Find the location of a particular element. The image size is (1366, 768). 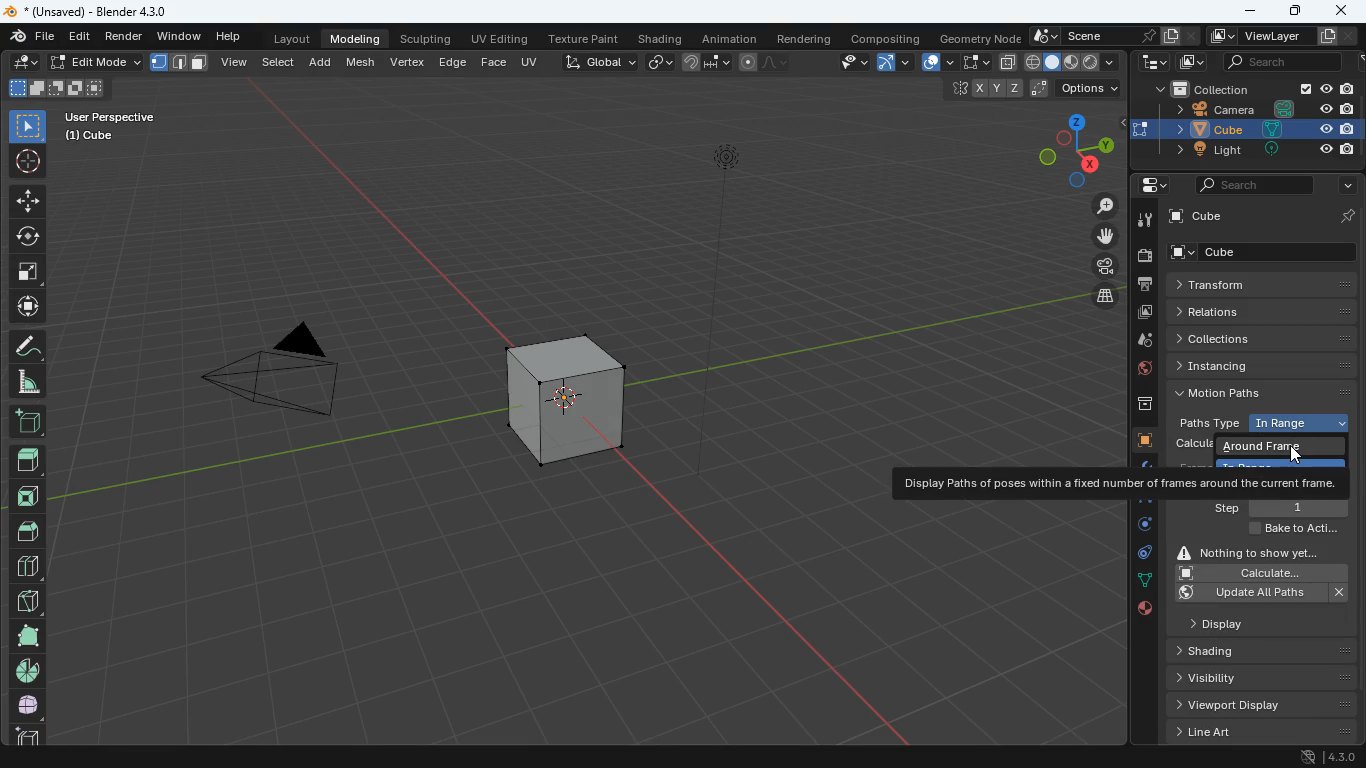

full is located at coordinates (28, 704).